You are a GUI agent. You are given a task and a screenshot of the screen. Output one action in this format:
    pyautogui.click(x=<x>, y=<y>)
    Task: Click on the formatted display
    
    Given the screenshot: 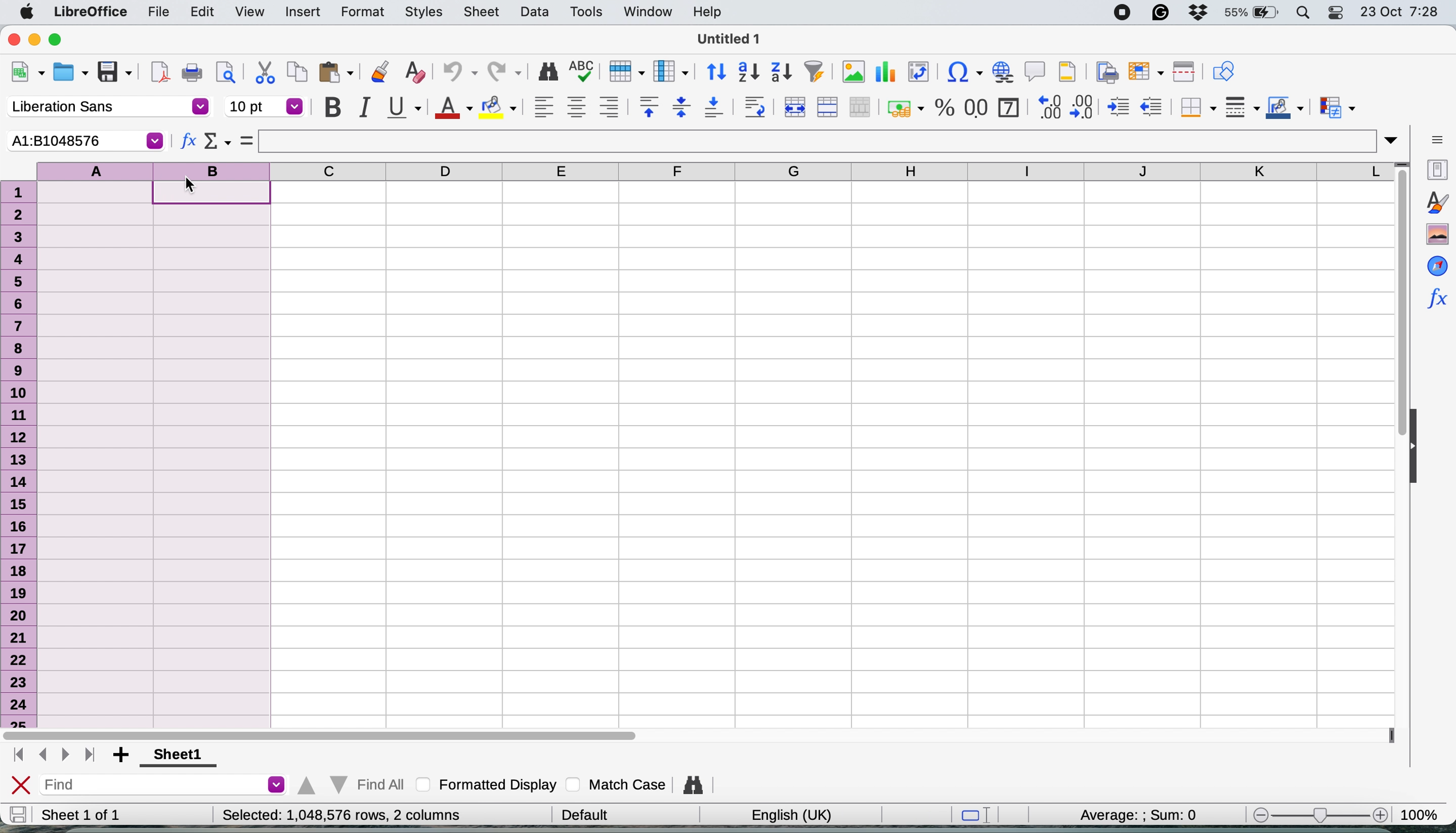 What is the action you would take?
    pyautogui.click(x=485, y=786)
    